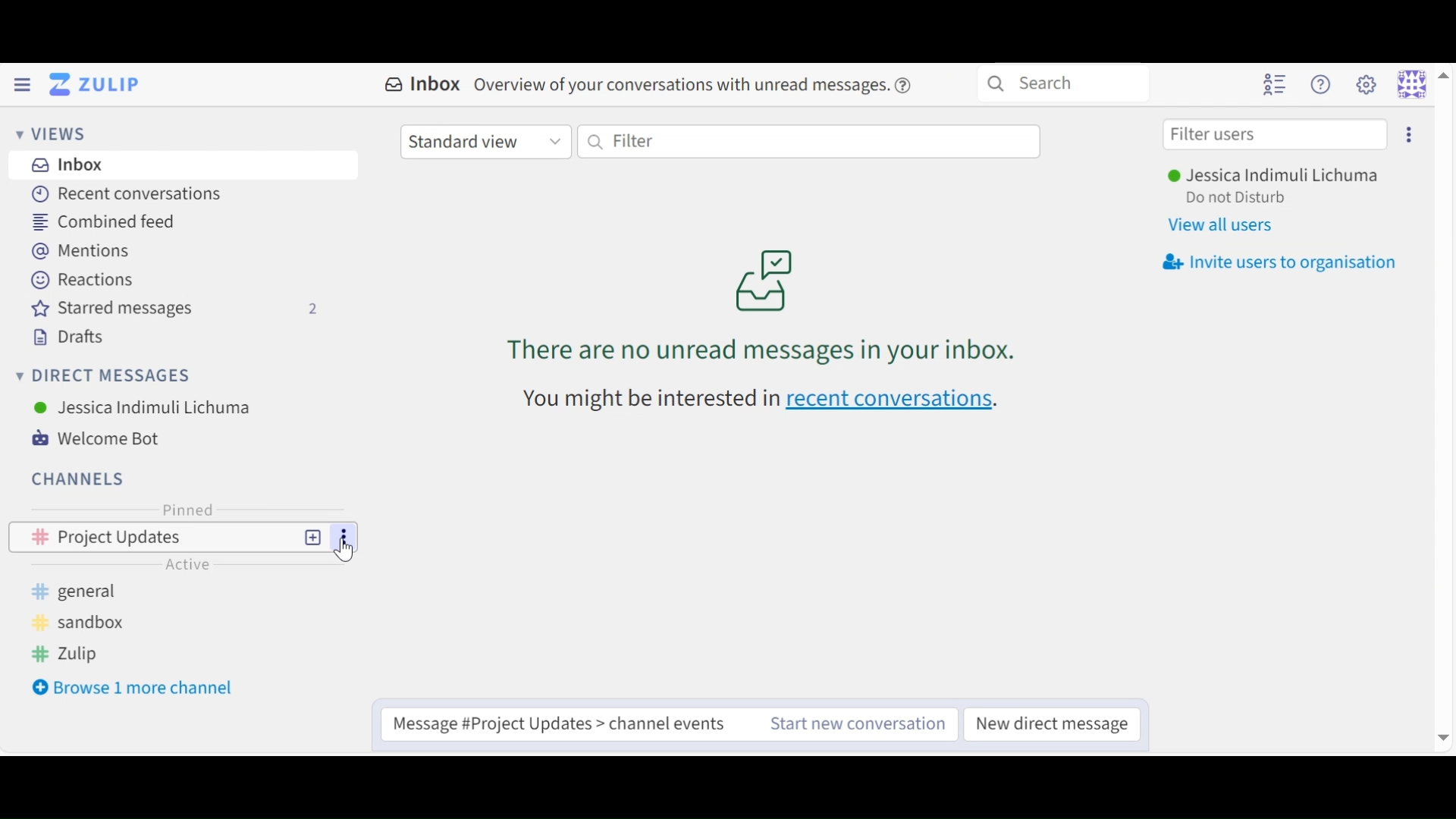 The height and width of the screenshot is (819, 1456). I want to click on User, so click(149, 409).